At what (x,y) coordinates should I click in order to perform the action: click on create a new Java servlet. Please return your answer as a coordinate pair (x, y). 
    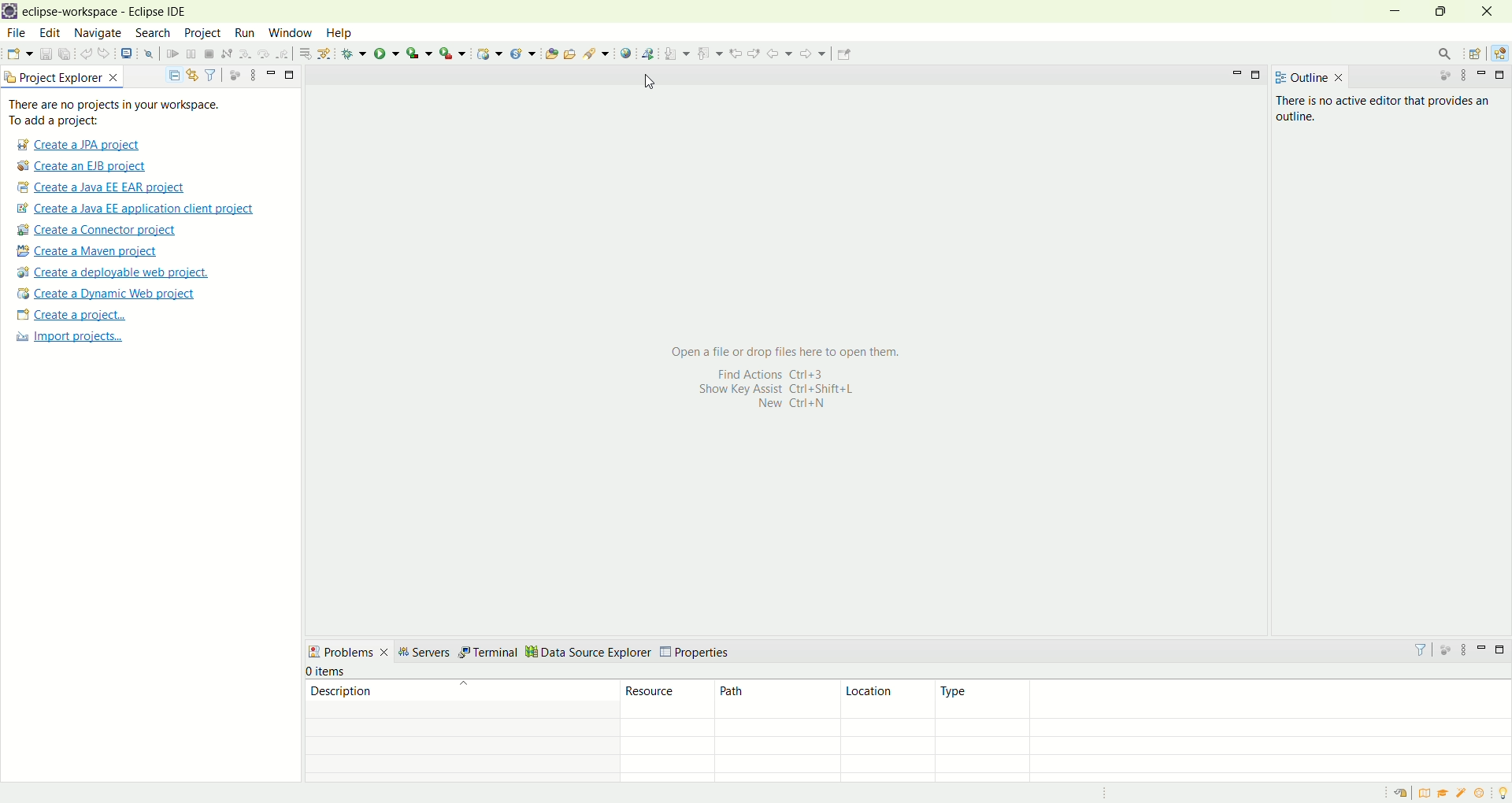
    Looking at the image, I should click on (527, 54).